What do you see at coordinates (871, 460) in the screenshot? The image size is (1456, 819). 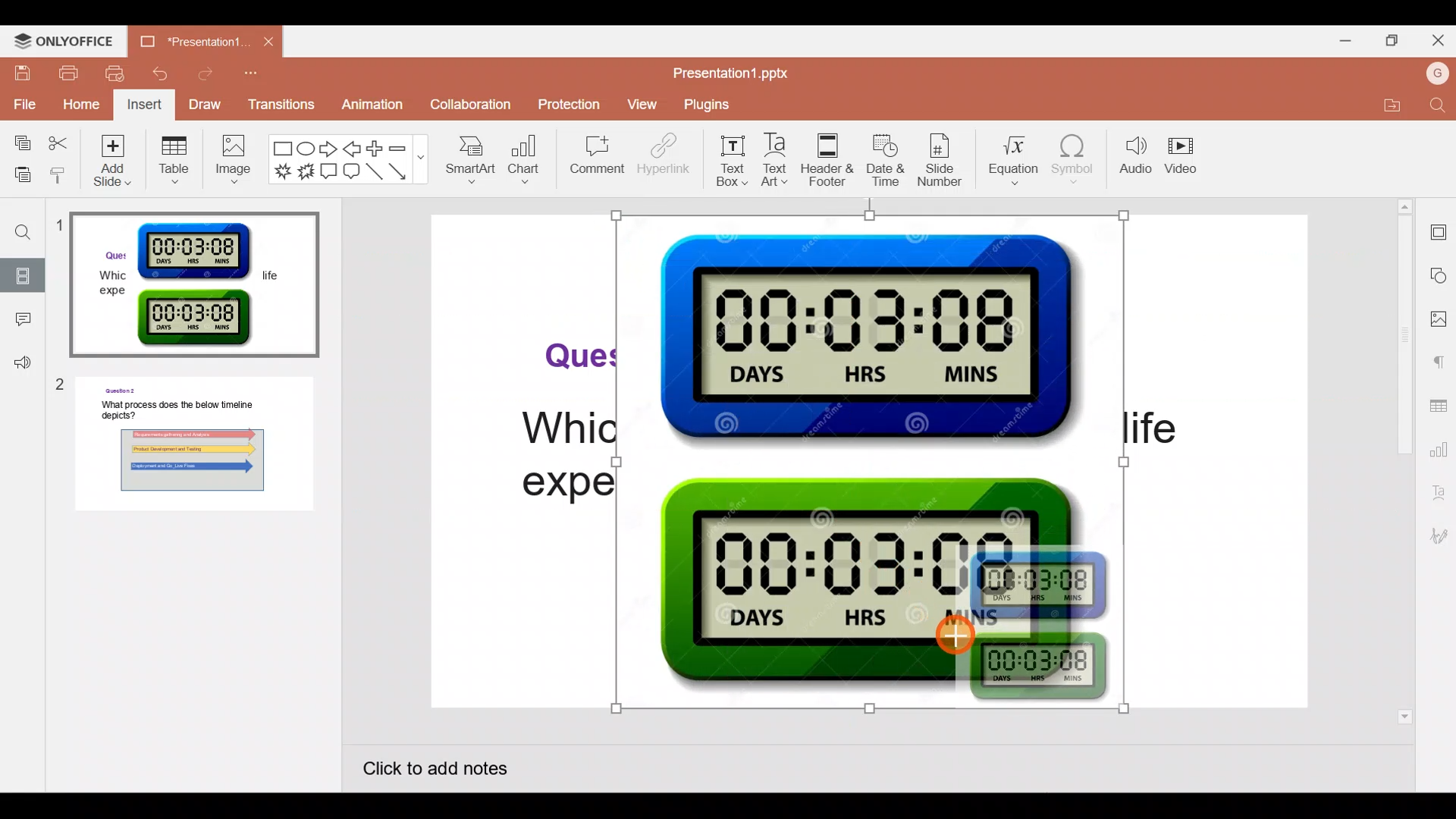 I see `Inserted Timer Graphic` at bounding box center [871, 460].